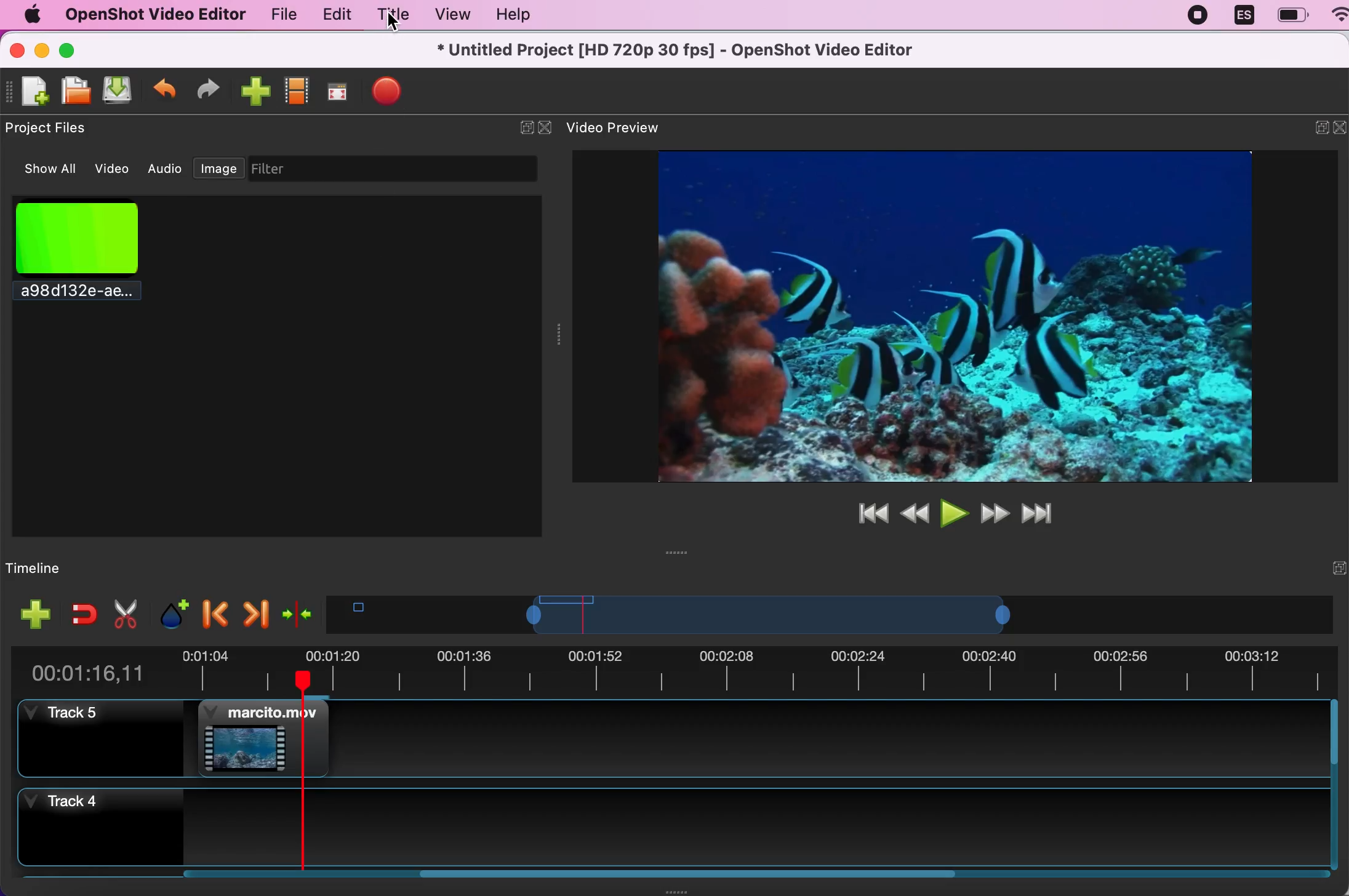 This screenshot has height=896, width=1349. Describe the element at coordinates (66, 567) in the screenshot. I see `timeline` at that location.